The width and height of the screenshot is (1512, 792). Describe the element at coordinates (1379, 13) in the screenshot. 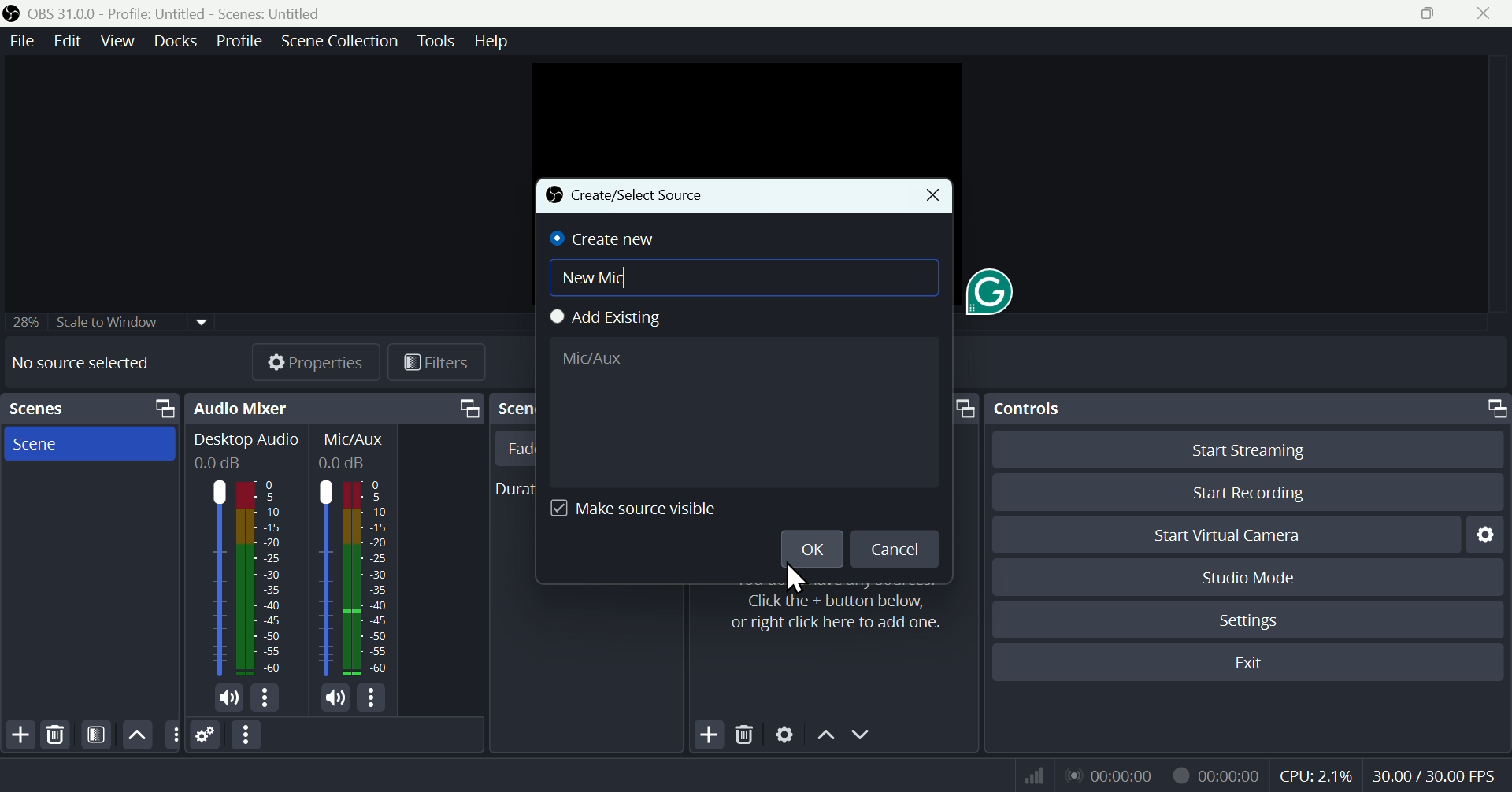

I see `minimize` at that location.